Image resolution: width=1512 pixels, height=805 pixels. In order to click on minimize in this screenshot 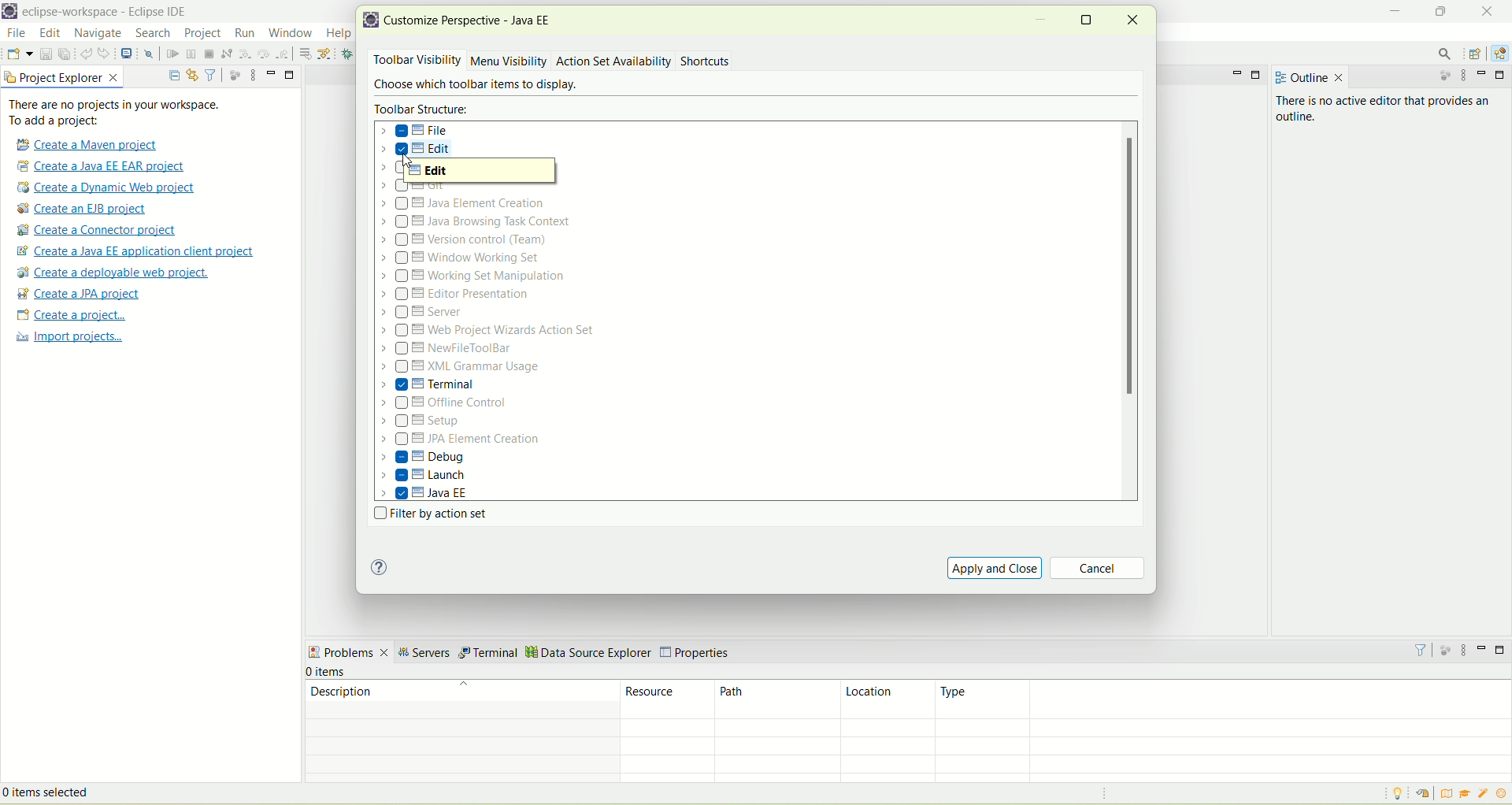, I will do `click(272, 72)`.